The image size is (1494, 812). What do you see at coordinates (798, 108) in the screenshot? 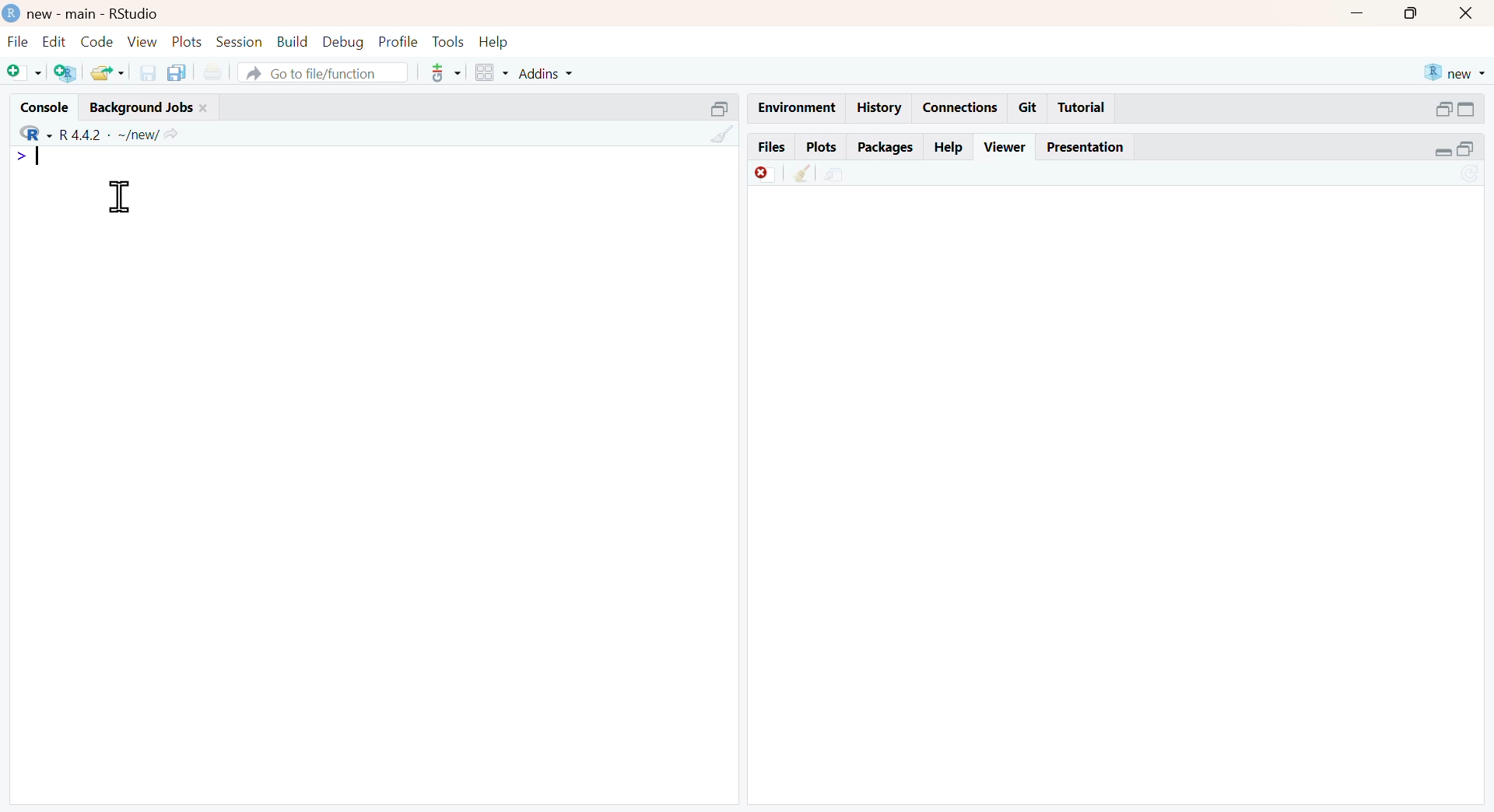
I see `enviornment` at bounding box center [798, 108].